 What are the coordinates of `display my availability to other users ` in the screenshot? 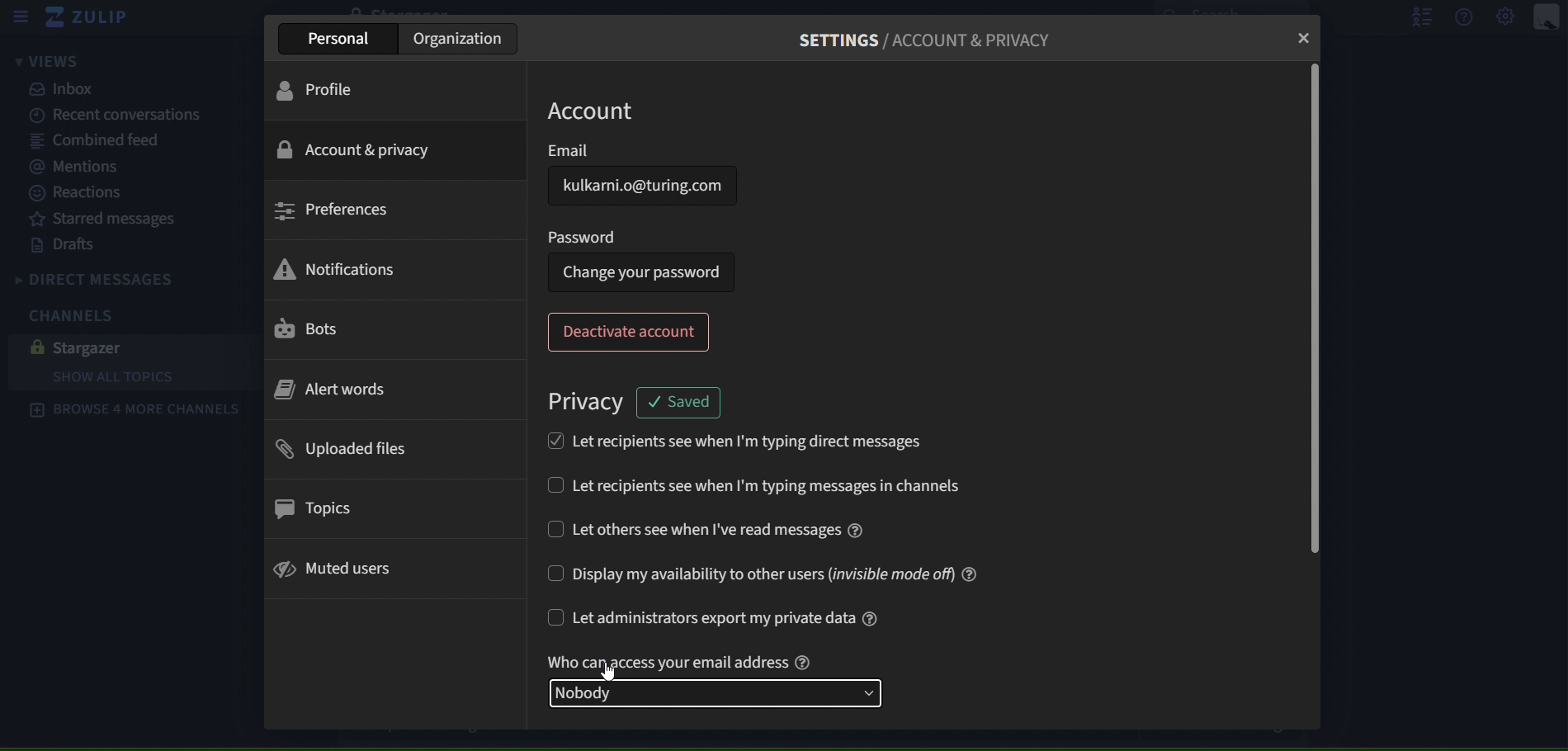 It's located at (764, 574).